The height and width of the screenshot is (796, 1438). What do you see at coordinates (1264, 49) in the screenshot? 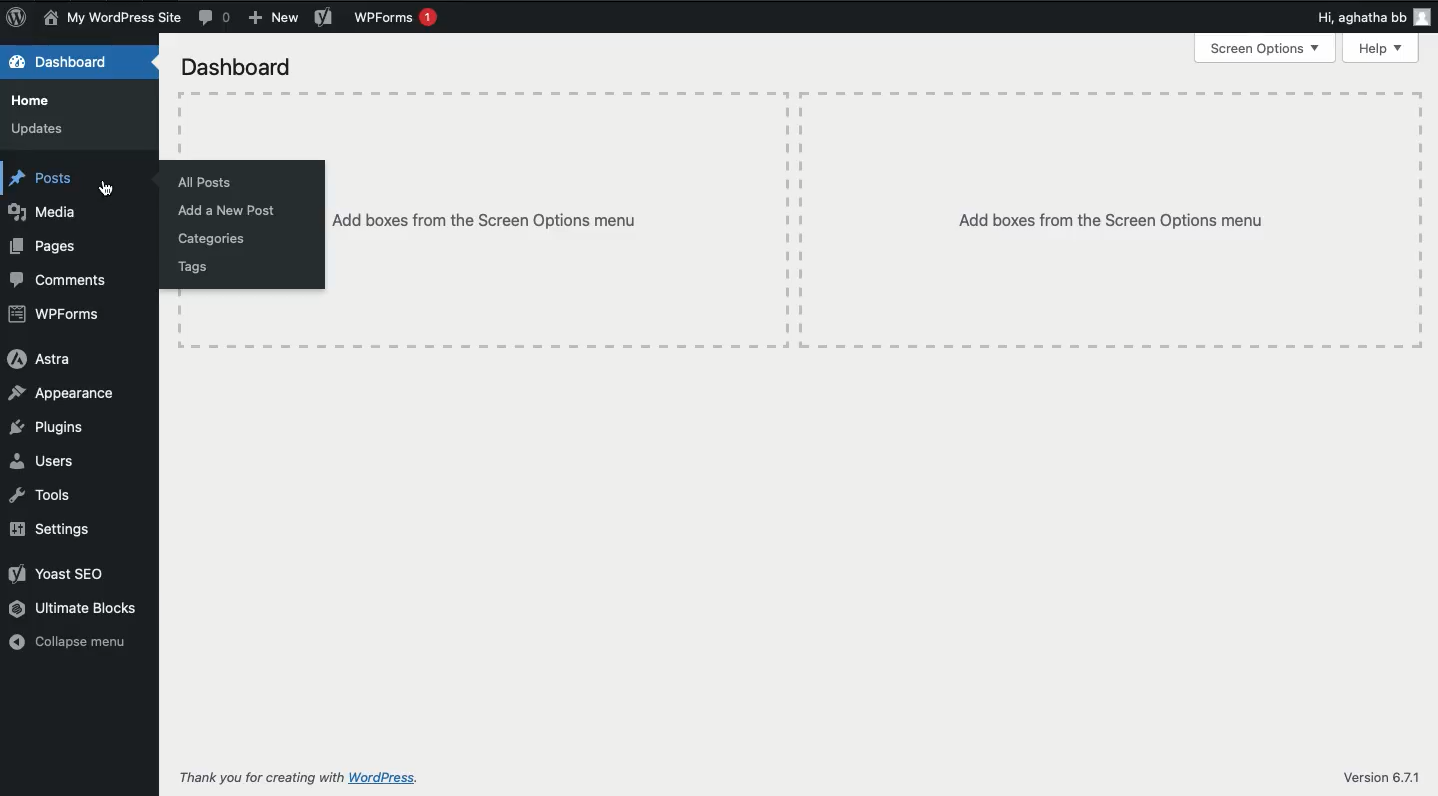
I see `Screen options` at bounding box center [1264, 49].